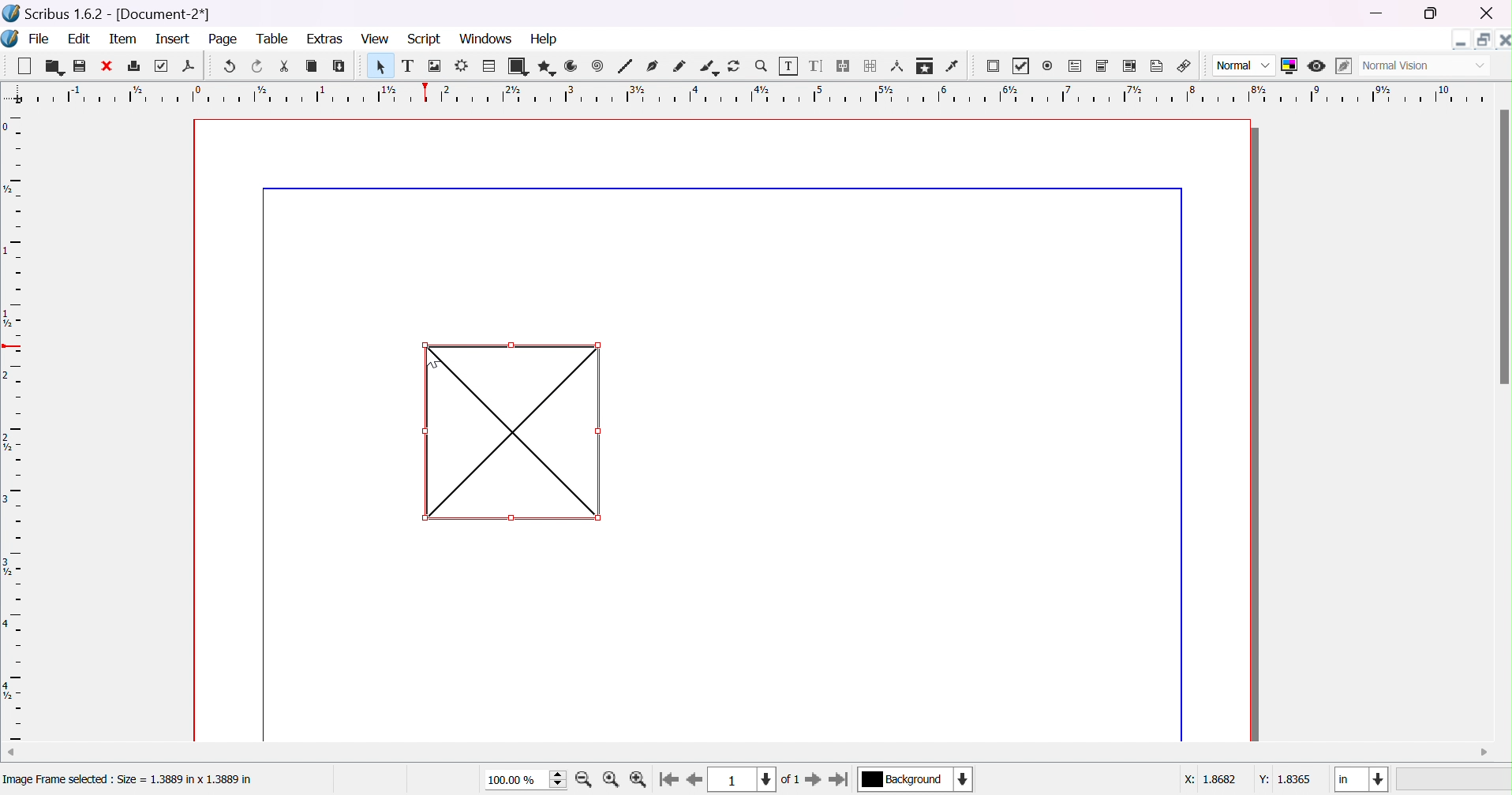 The height and width of the screenshot is (795, 1512). I want to click on current layer, so click(916, 778).